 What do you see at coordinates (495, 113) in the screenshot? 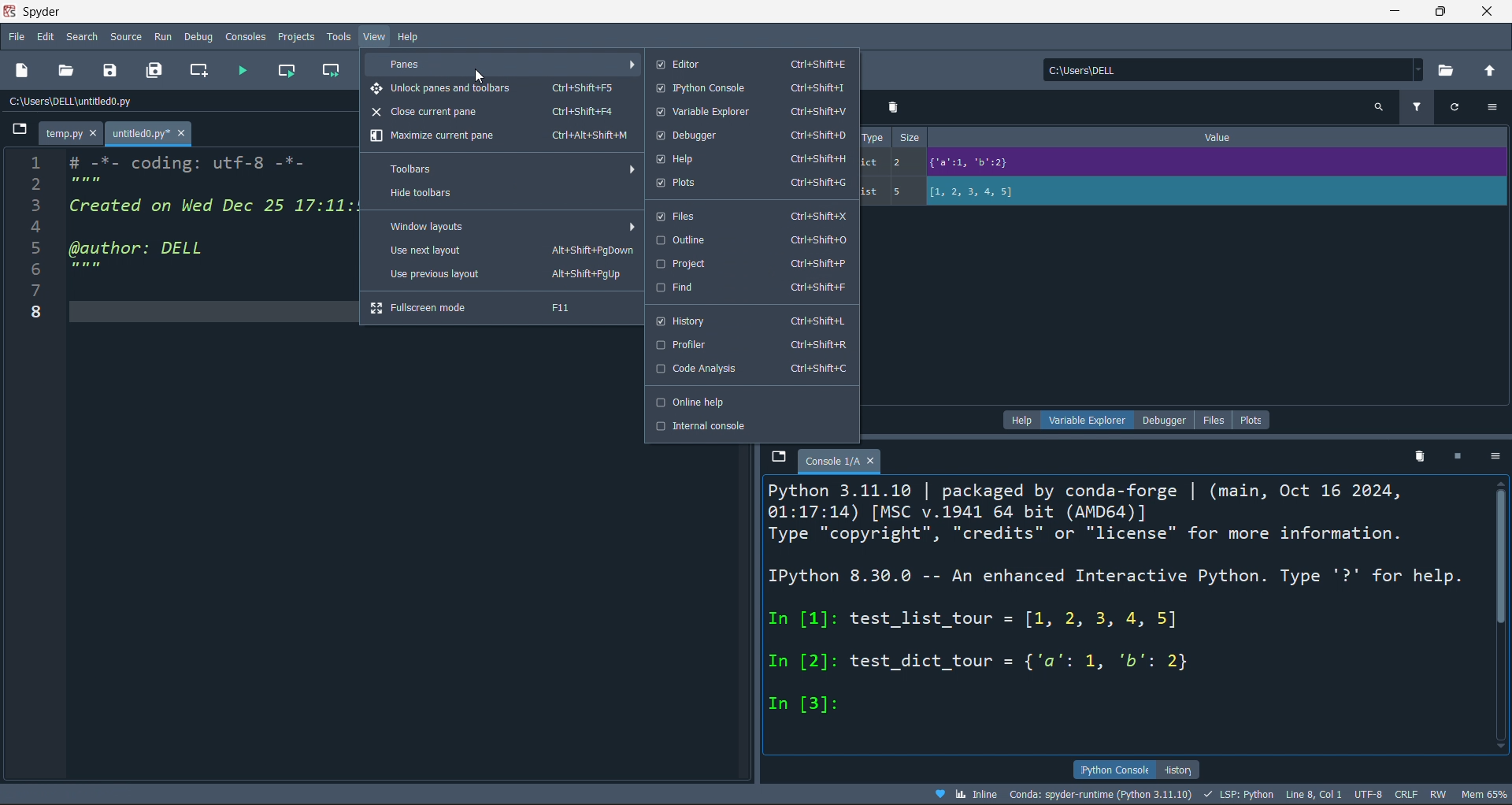
I see `close current pane` at bounding box center [495, 113].